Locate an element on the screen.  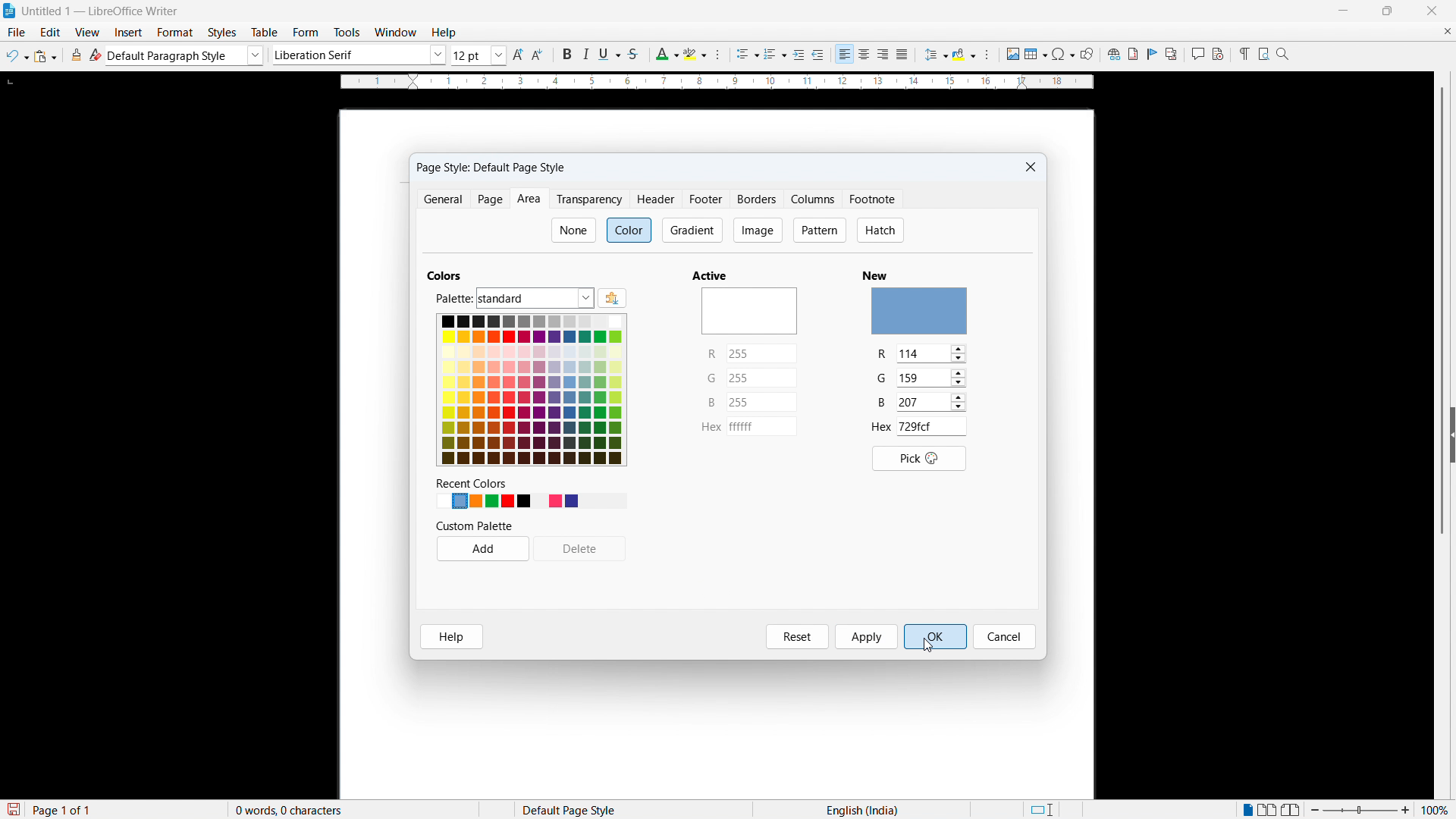
Clone formatting  is located at coordinates (77, 55).